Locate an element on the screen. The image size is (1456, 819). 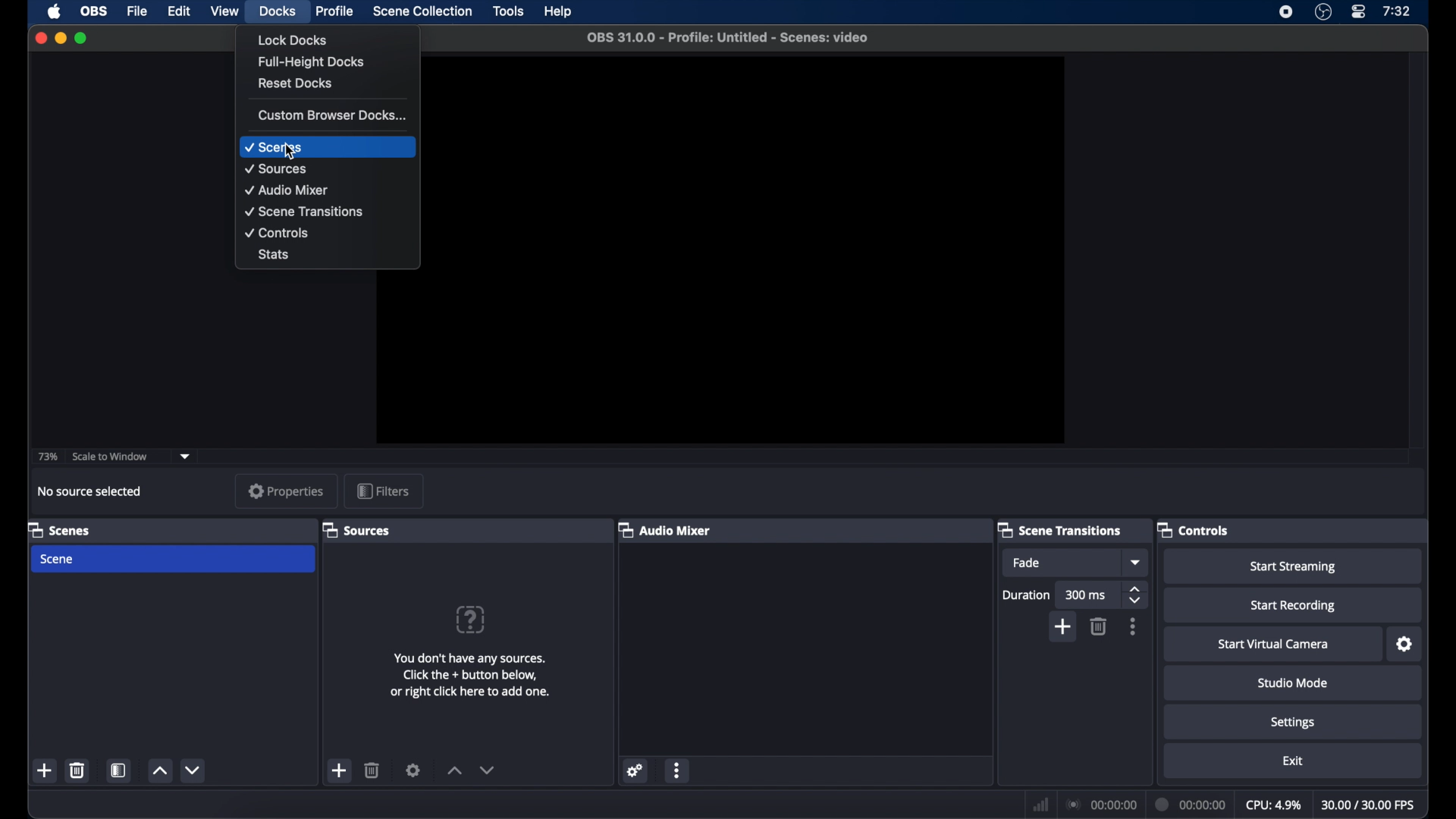
scenes is located at coordinates (59, 529).